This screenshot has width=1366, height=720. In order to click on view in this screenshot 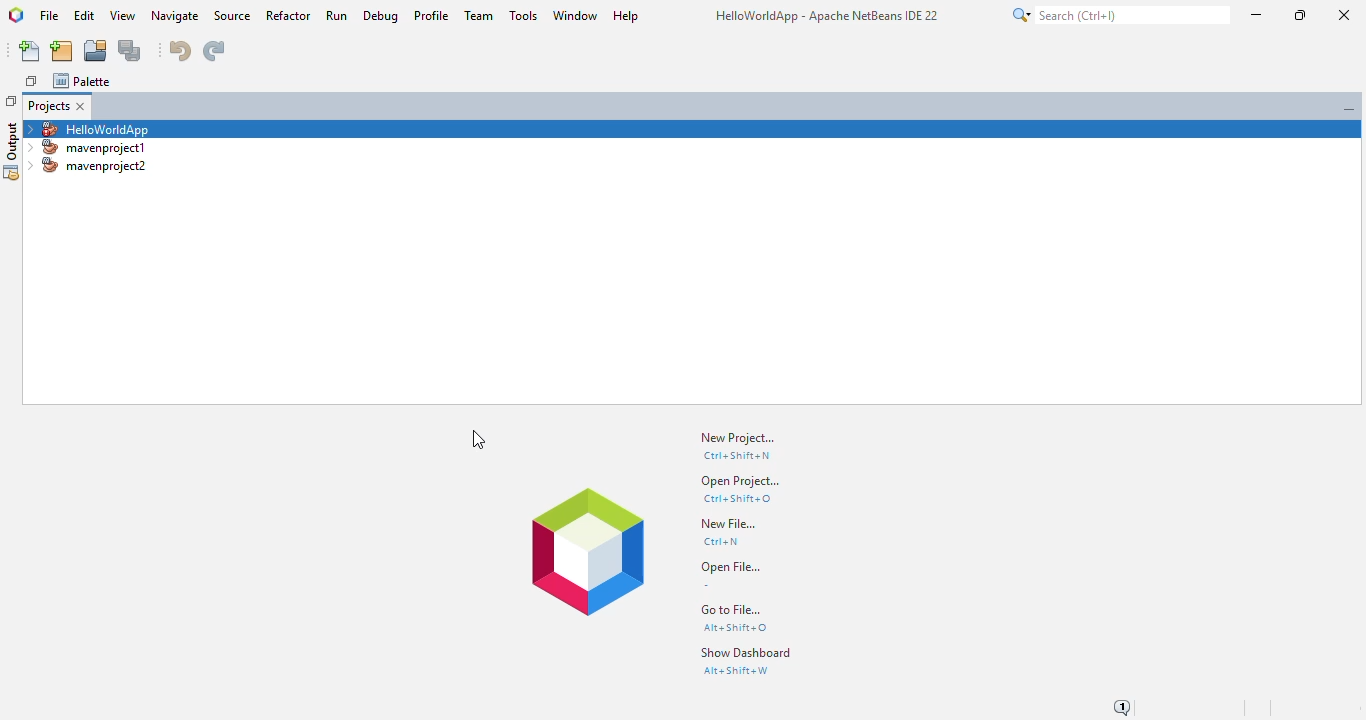, I will do `click(124, 16)`.